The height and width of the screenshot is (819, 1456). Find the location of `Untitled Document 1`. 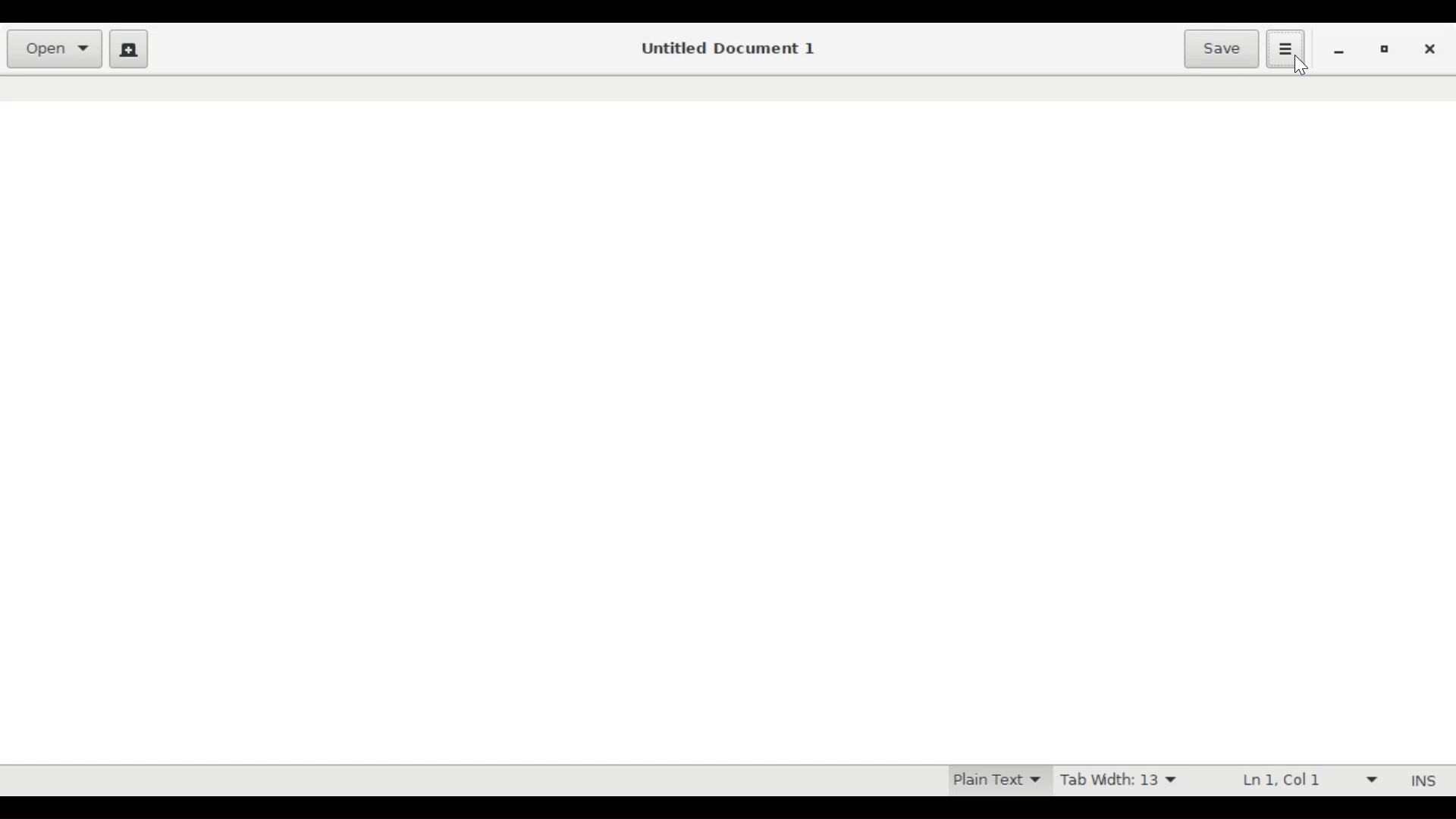

Untitled Document 1 is located at coordinates (726, 49).